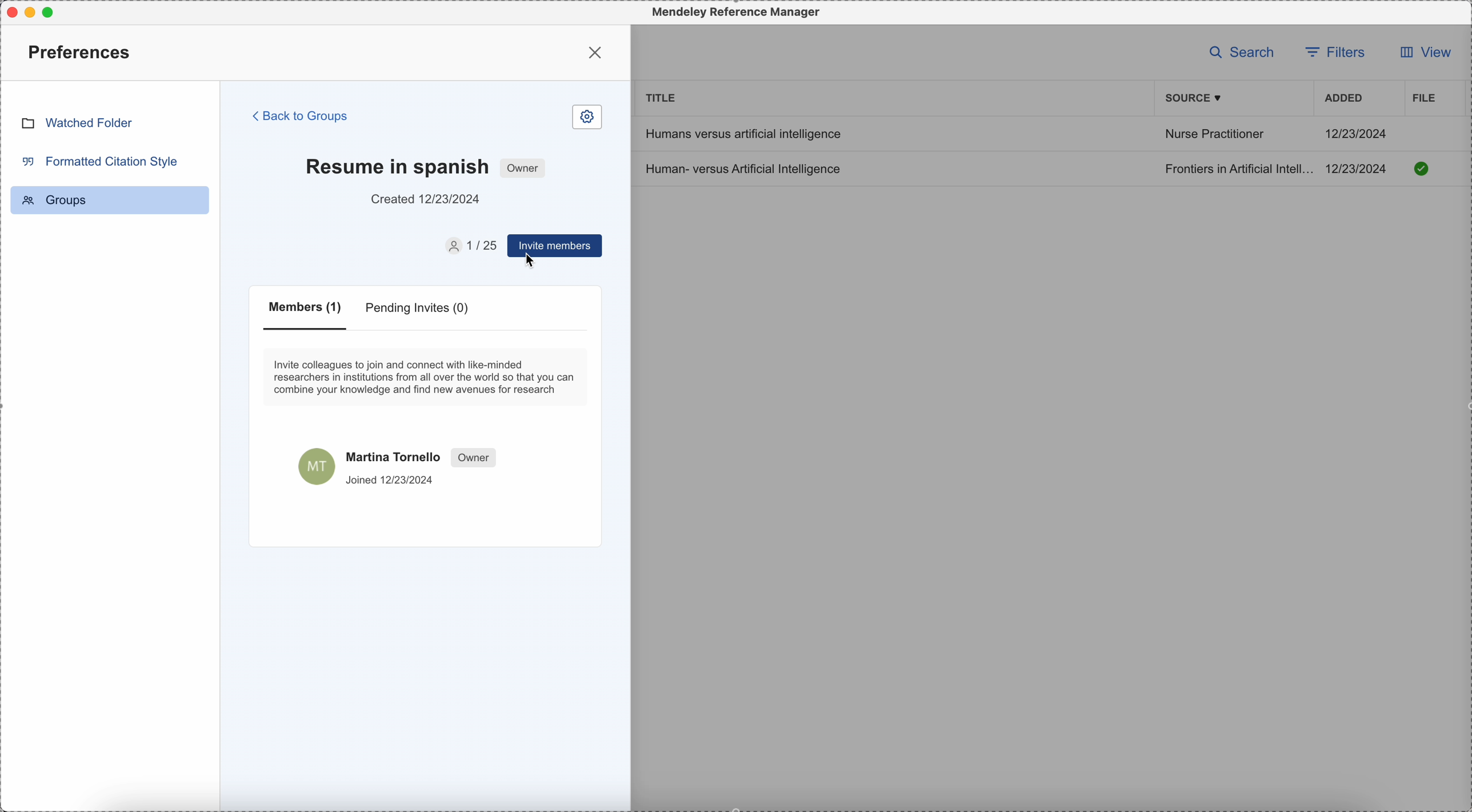 The height and width of the screenshot is (812, 1472). What do you see at coordinates (1360, 169) in the screenshot?
I see `12/23/2024` at bounding box center [1360, 169].